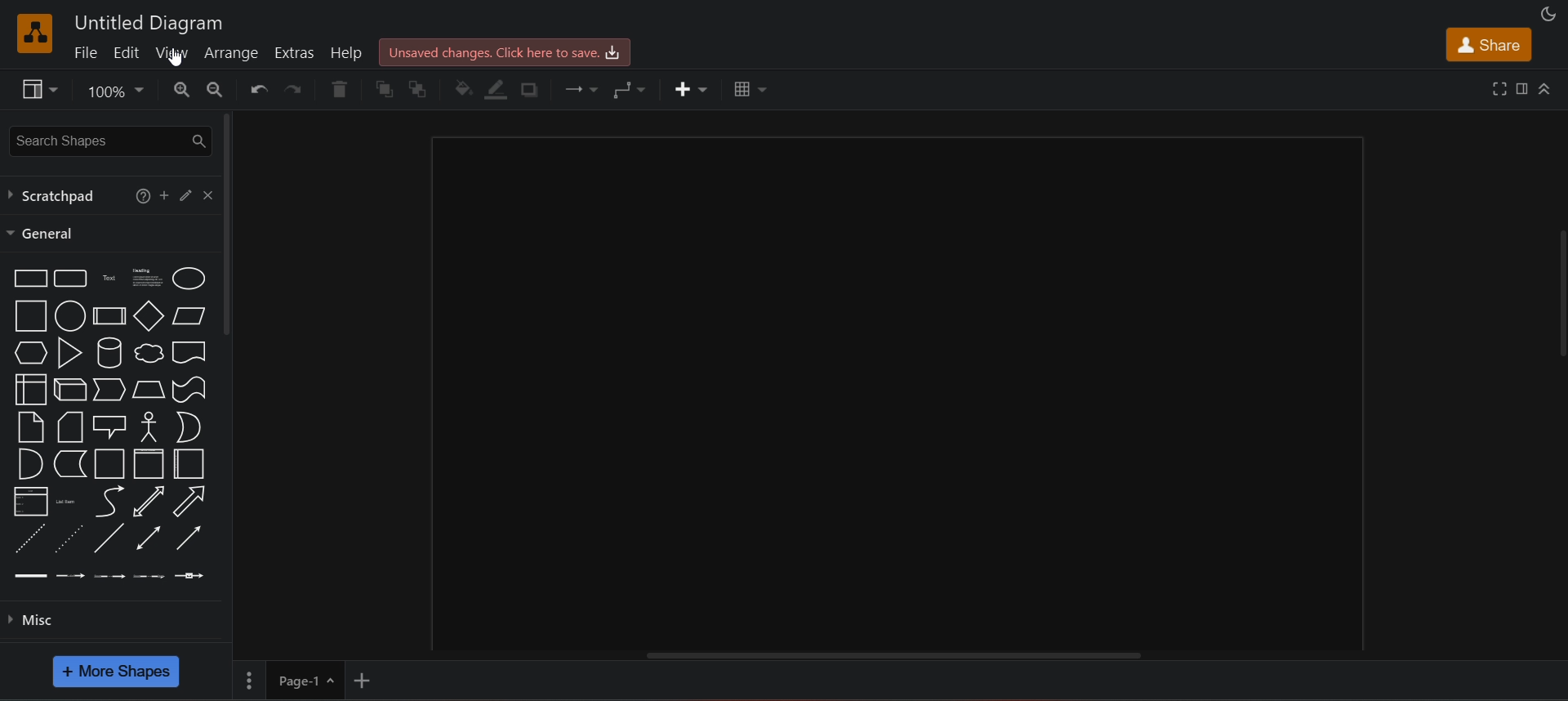 This screenshot has width=1568, height=701. What do you see at coordinates (297, 51) in the screenshot?
I see `extras` at bounding box center [297, 51].